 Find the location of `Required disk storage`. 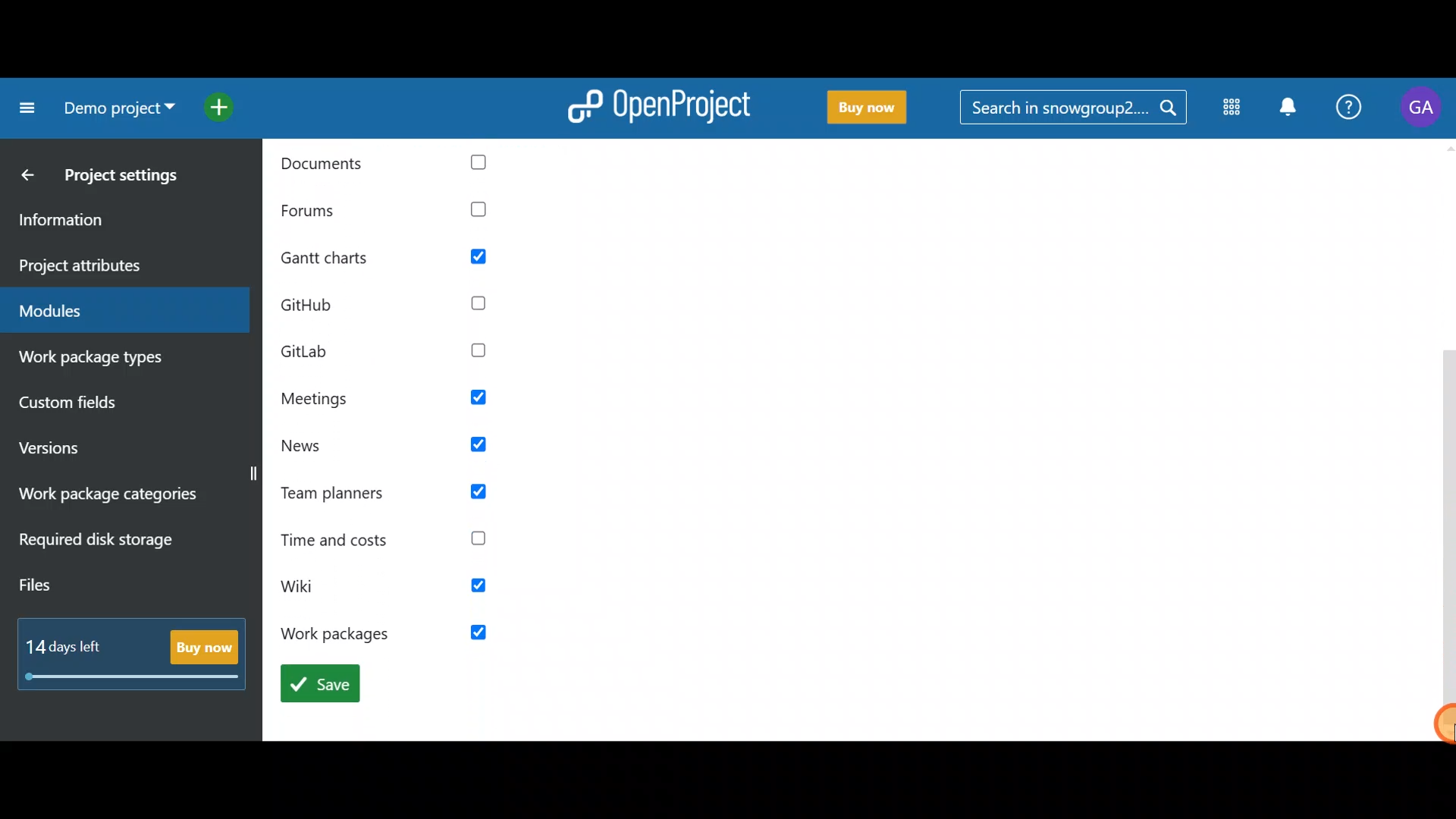

Required disk storage is located at coordinates (112, 548).